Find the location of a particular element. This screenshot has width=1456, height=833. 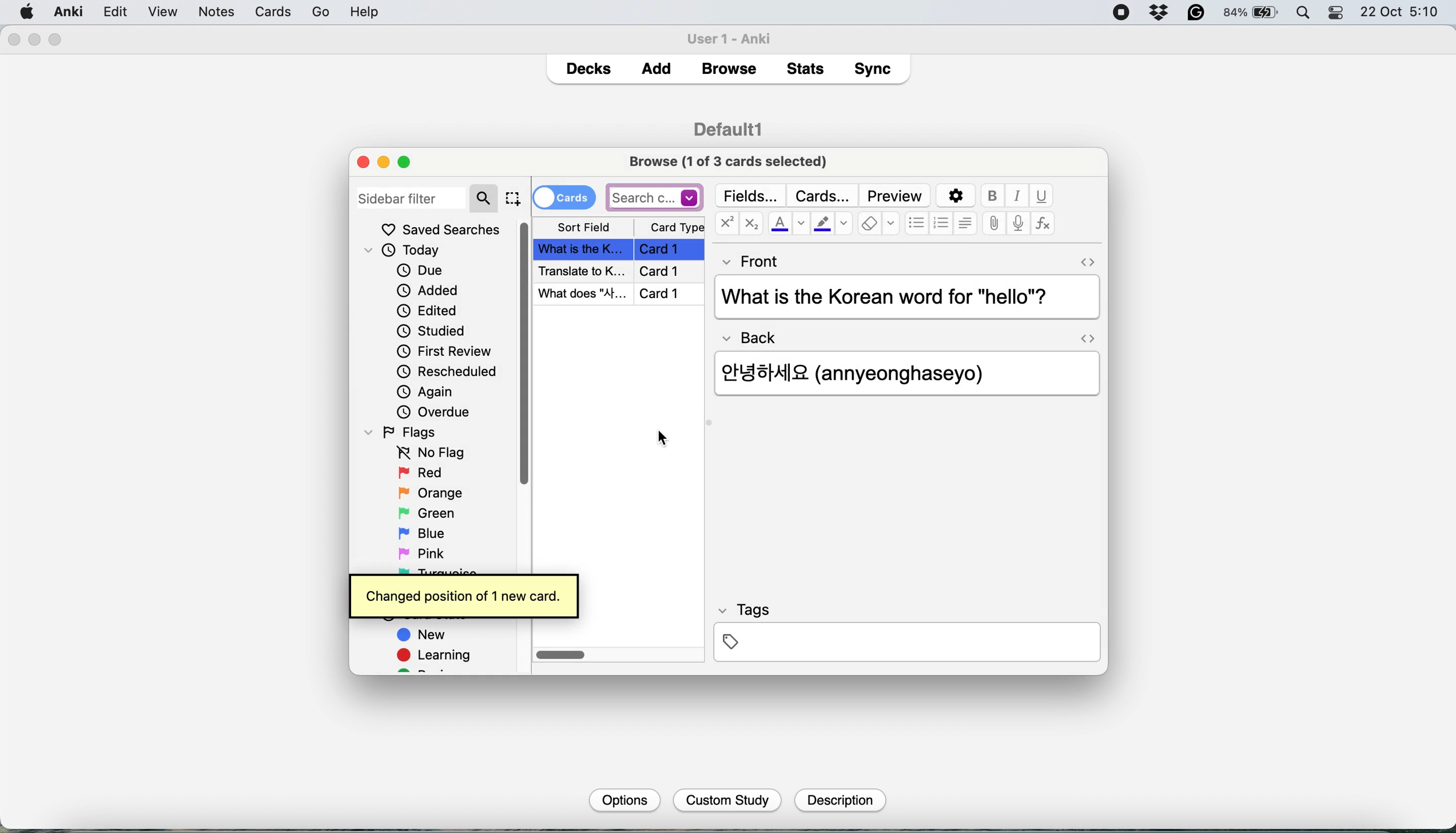

Custom study is located at coordinates (728, 801).